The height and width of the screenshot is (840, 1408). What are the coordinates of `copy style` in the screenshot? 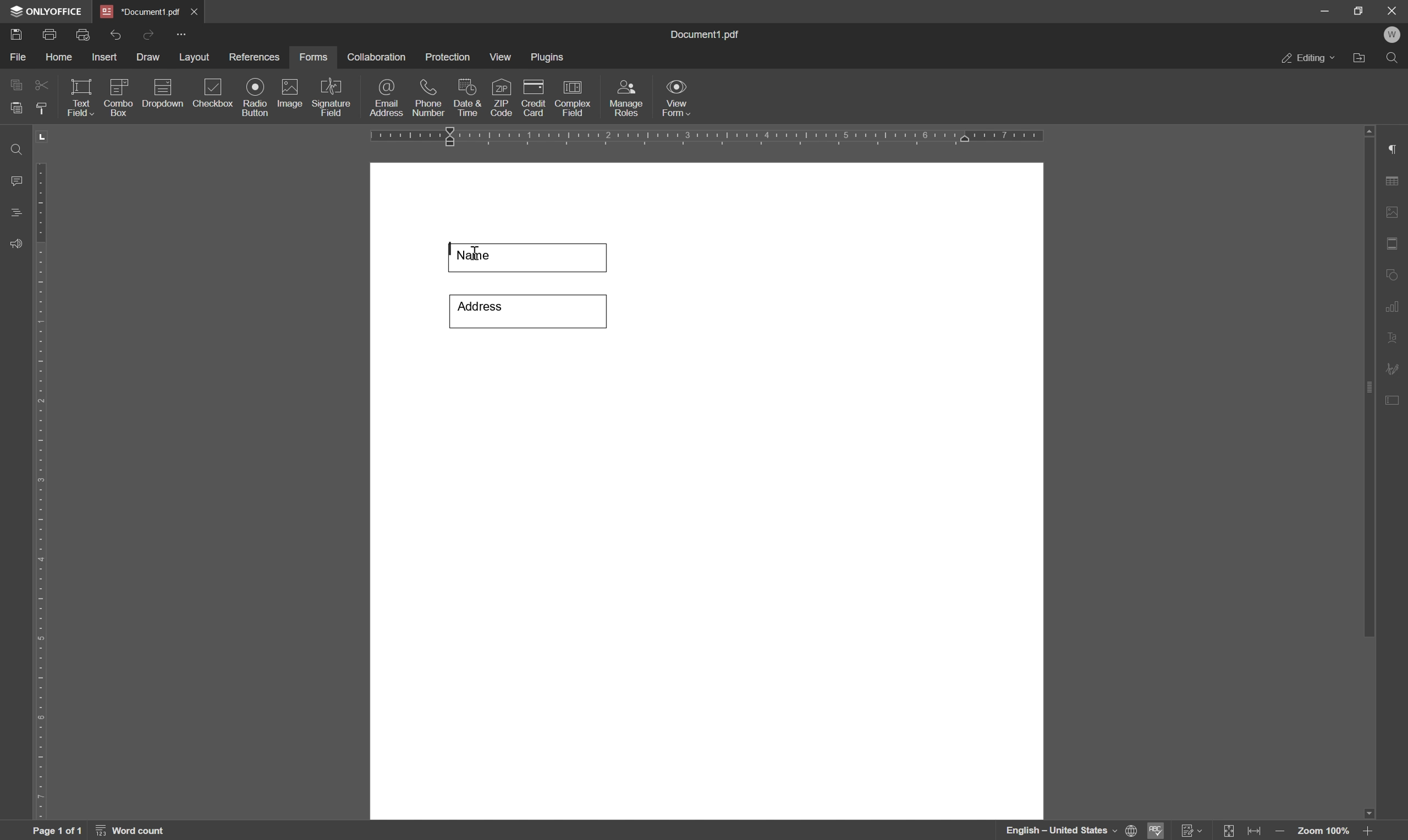 It's located at (42, 107).